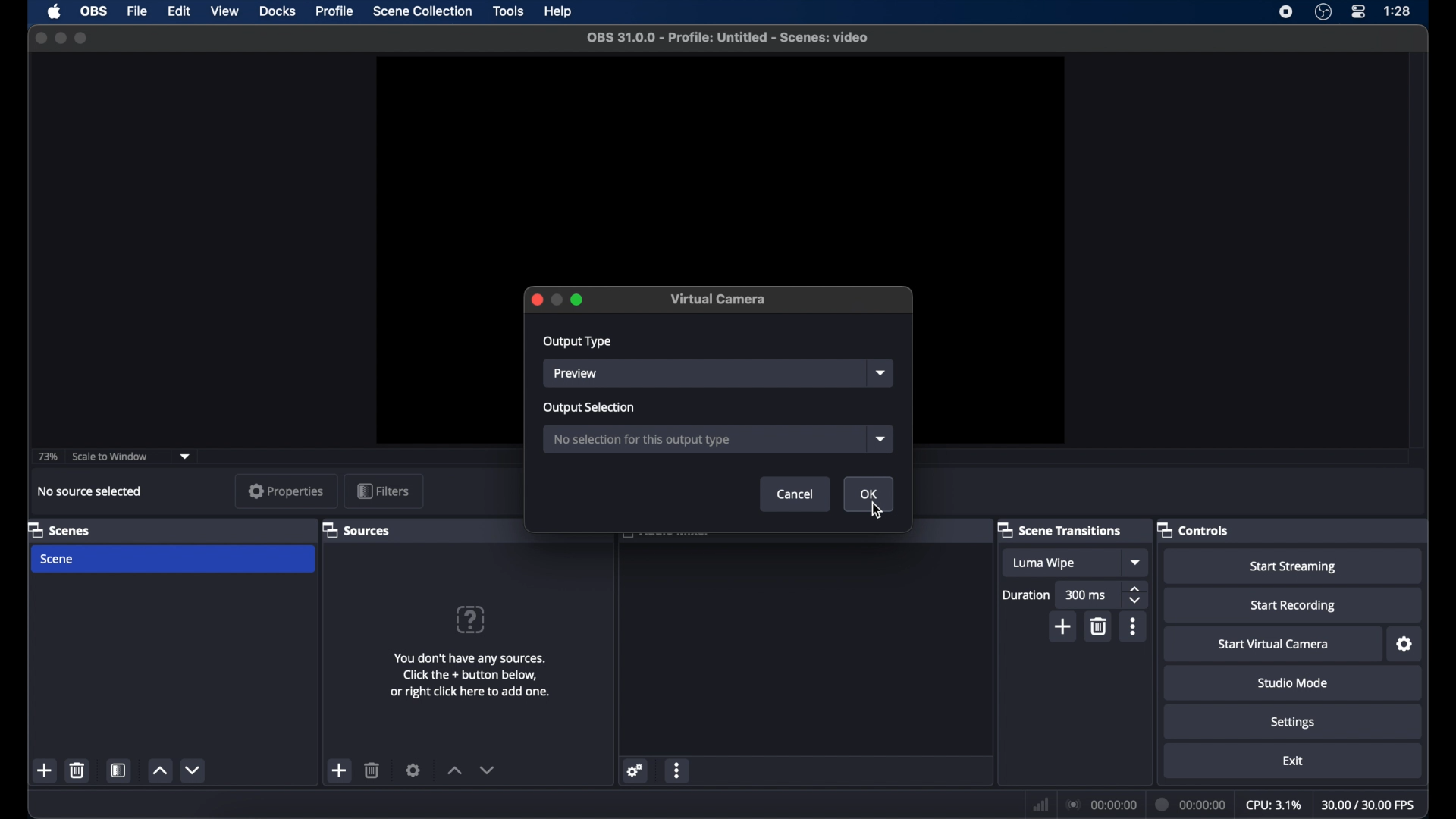  I want to click on duration, so click(1191, 805).